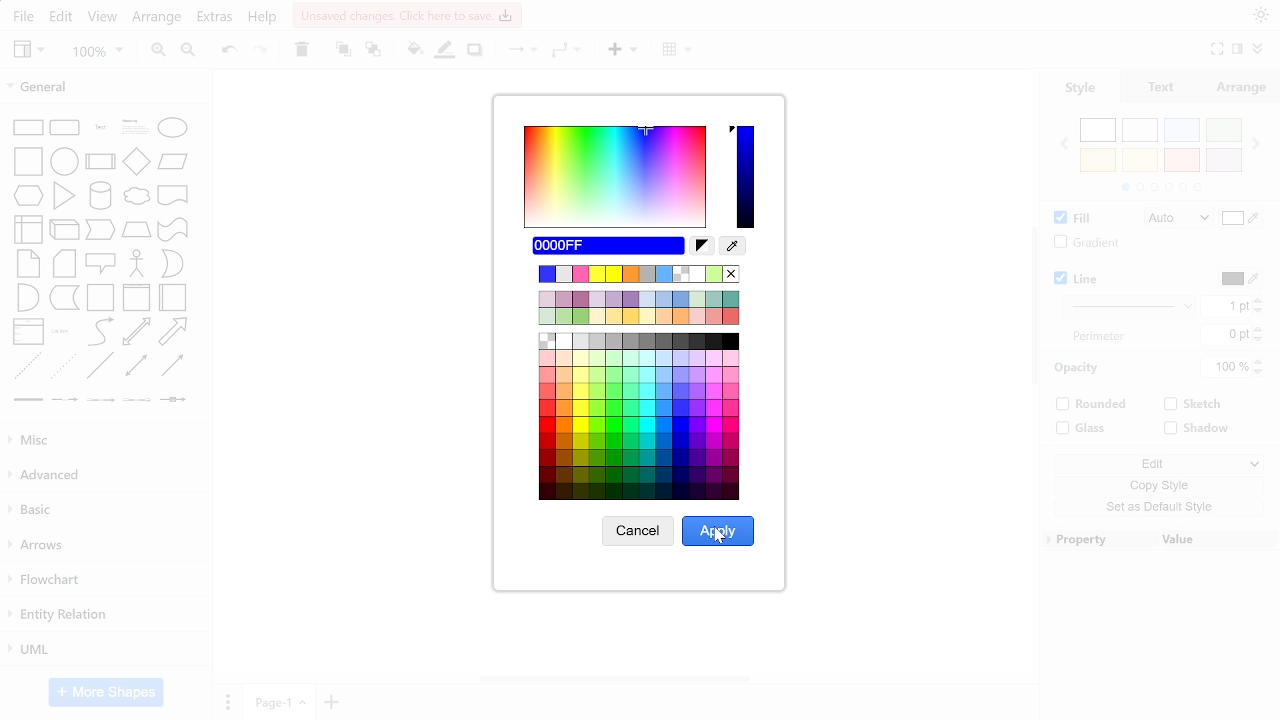 The height and width of the screenshot is (720, 1280). Describe the element at coordinates (102, 579) in the screenshot. I see `flowchart` at that location.